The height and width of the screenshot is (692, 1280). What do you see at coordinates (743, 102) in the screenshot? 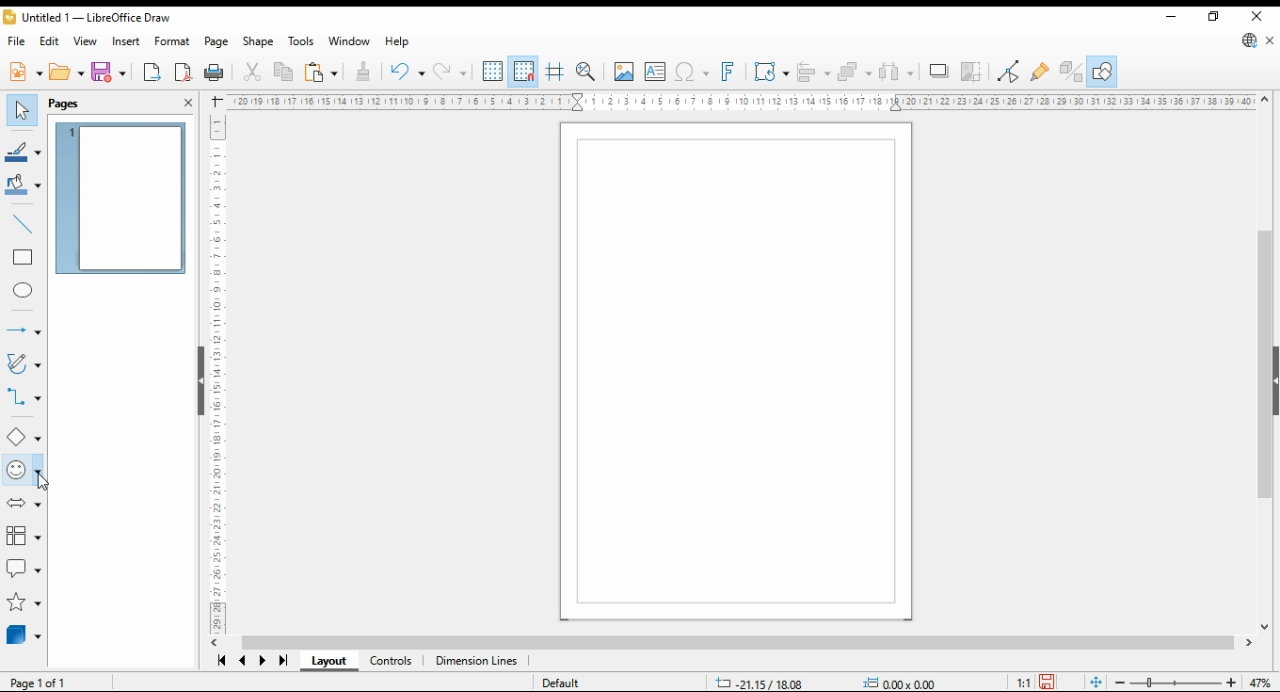
I see `Ruler` at bounding box center [743, 102].